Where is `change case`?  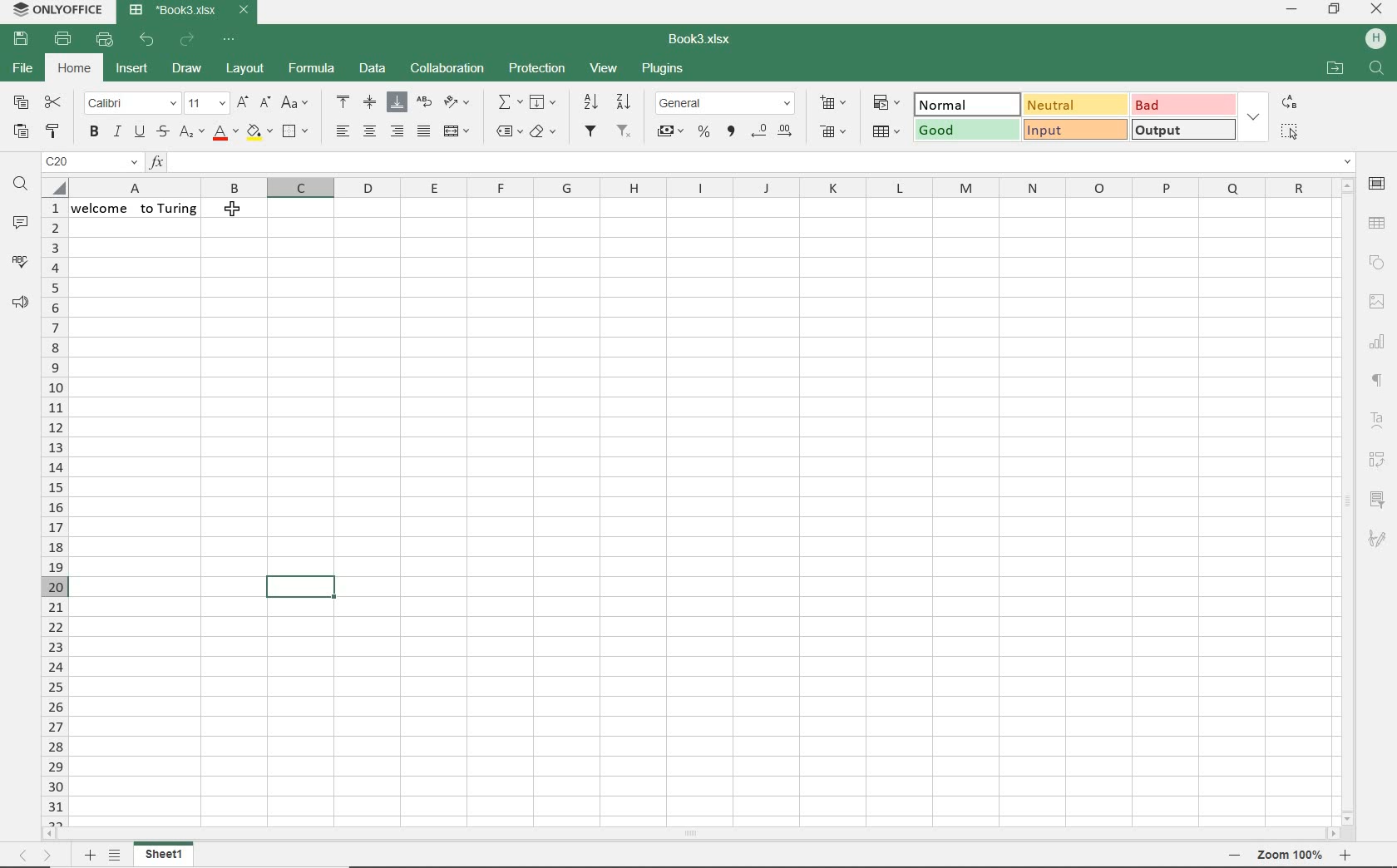 change case is located at coordinates (295, 104).